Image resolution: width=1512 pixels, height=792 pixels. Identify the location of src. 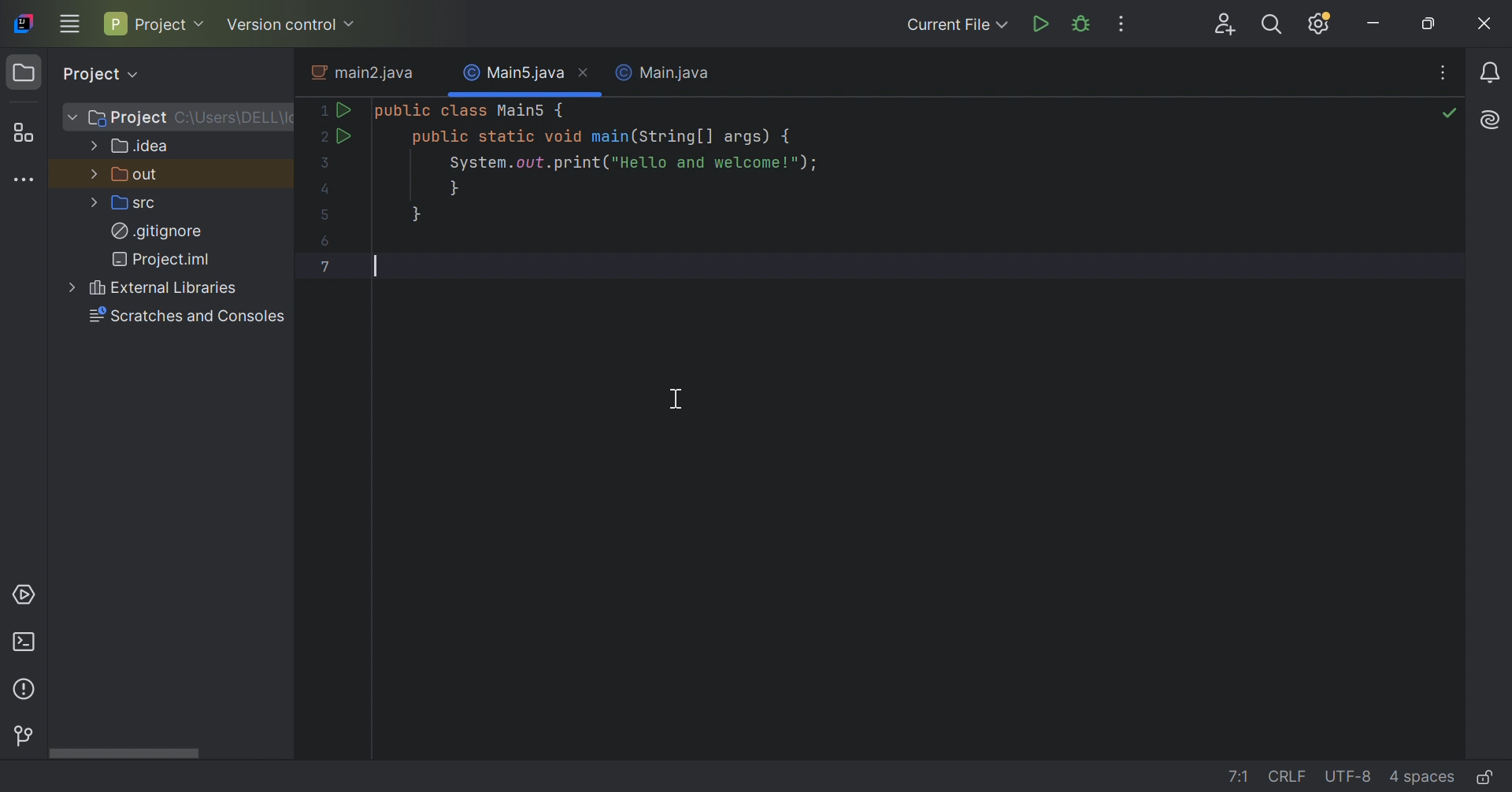
(136, 202).